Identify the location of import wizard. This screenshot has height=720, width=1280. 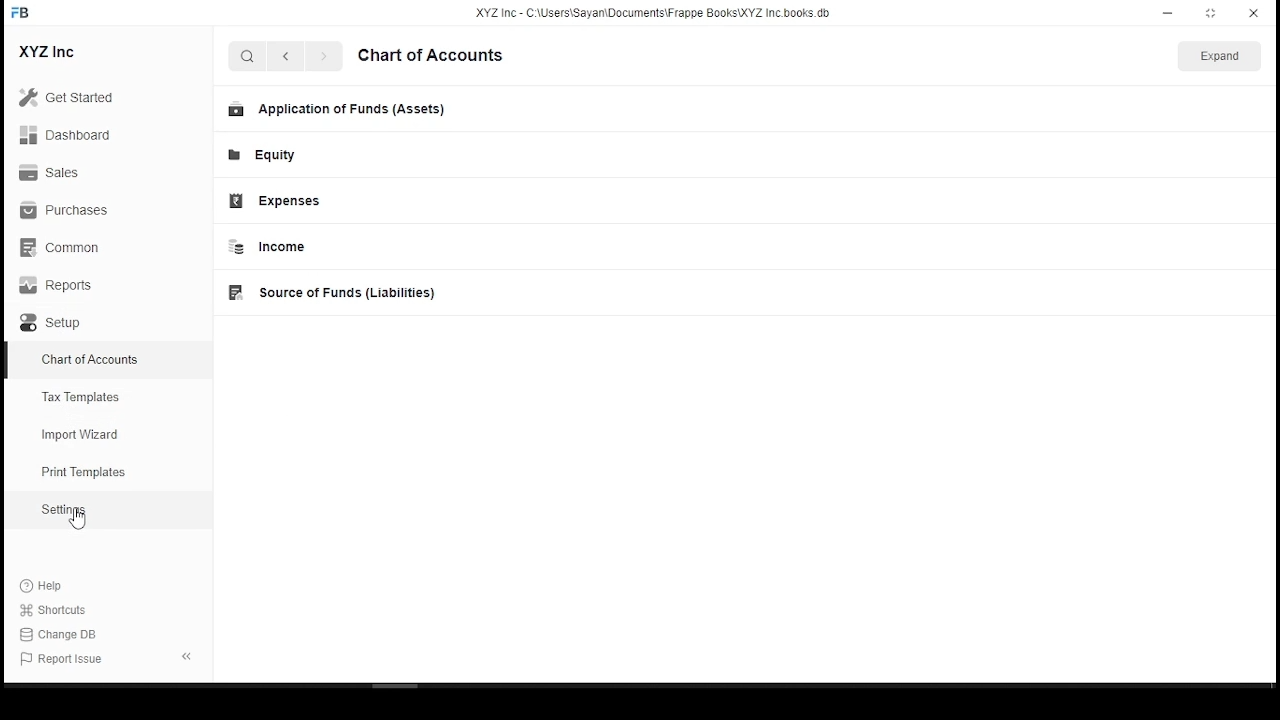
(81, 436).